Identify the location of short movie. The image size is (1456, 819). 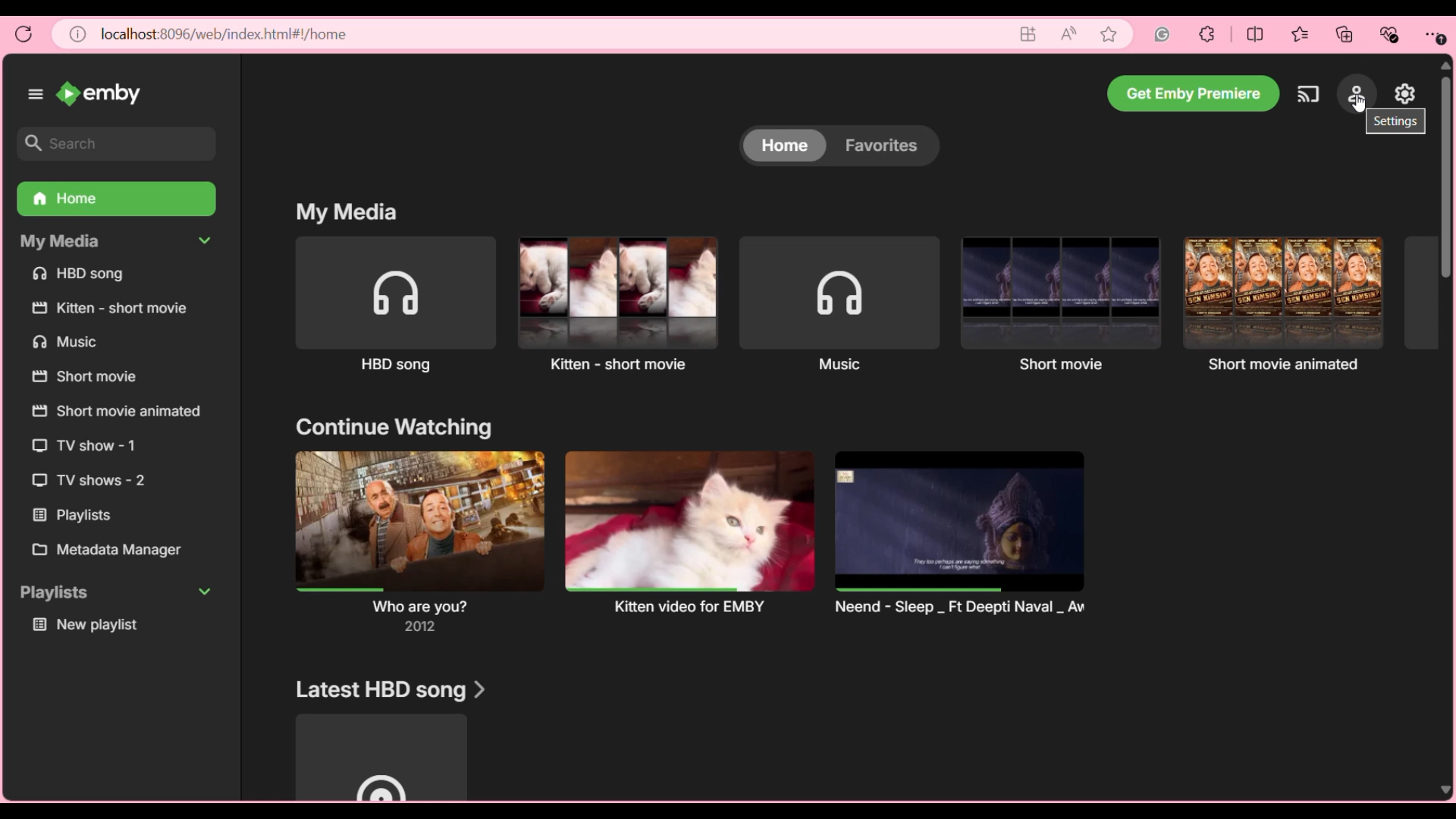
(83, 378).